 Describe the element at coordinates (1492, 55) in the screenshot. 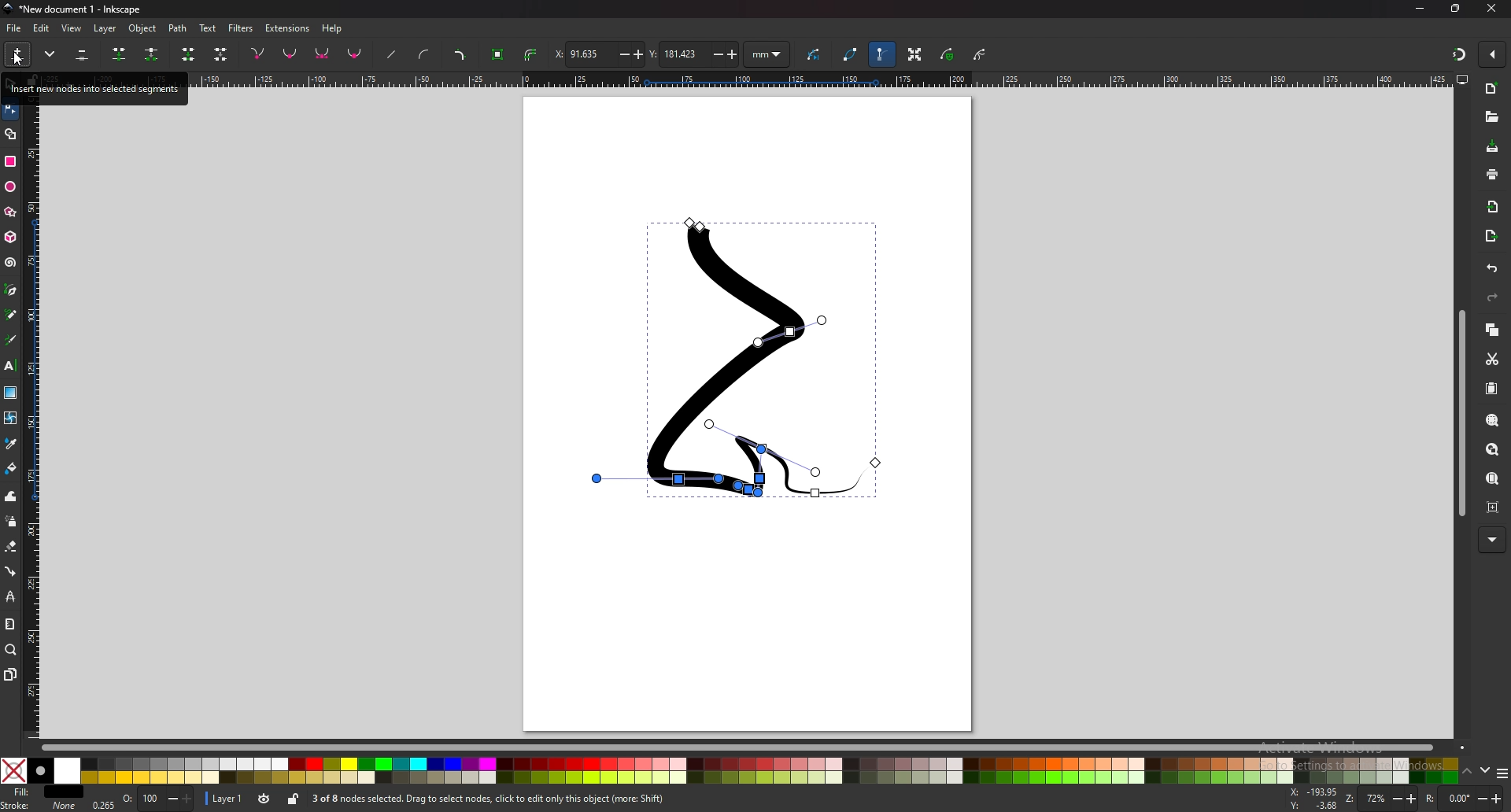

I see `enable snapper` at that location.